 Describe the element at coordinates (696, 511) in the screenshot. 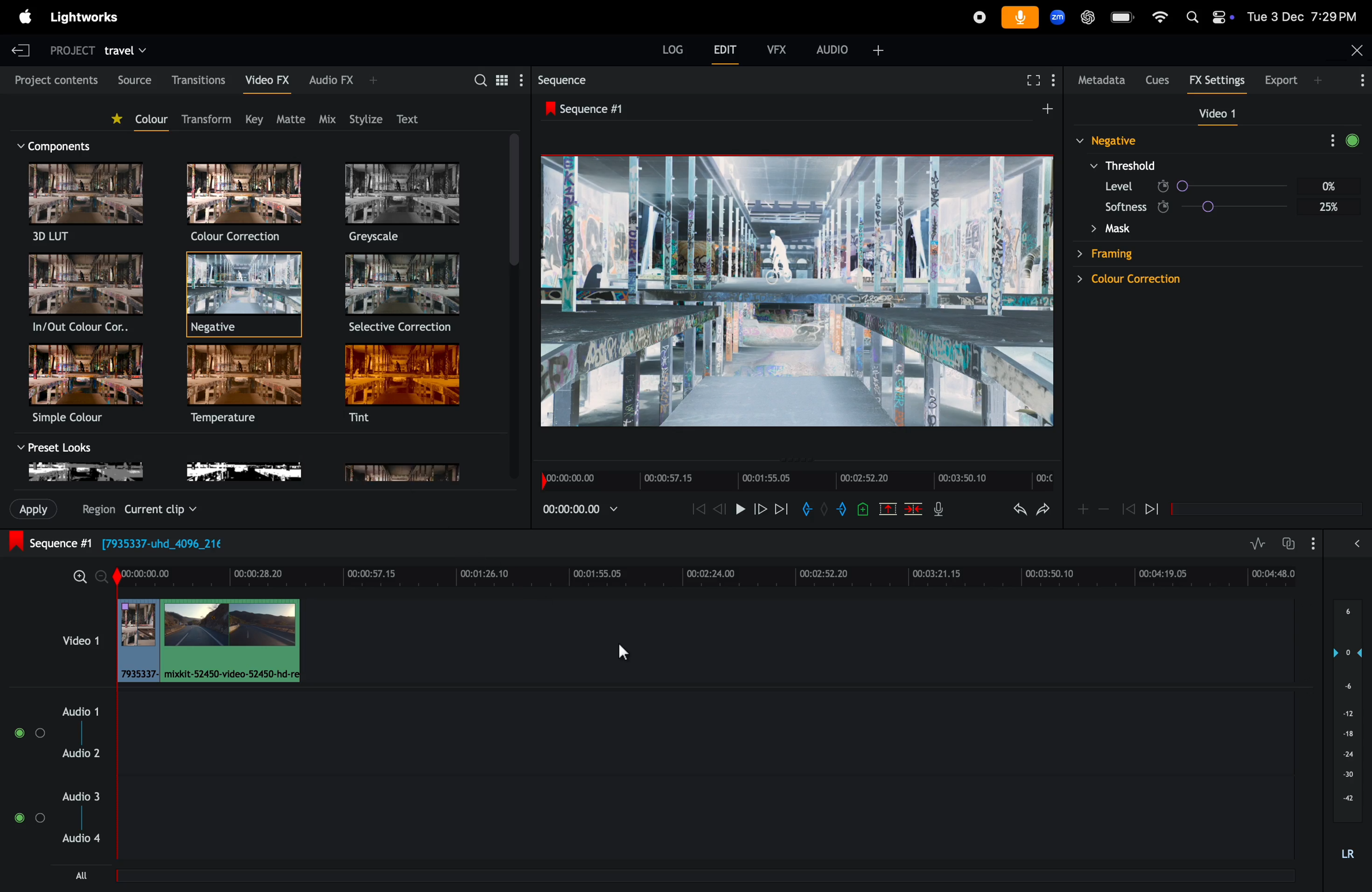

I see `rewind` at that location.